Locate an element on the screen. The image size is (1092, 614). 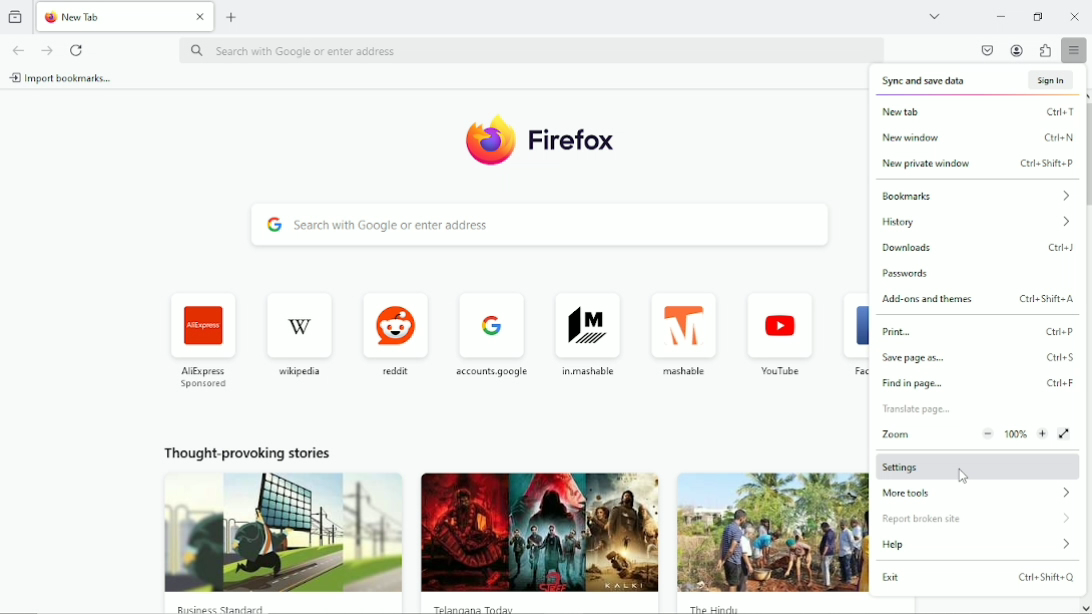
open applications menu is located at coordinates (1074, 51).